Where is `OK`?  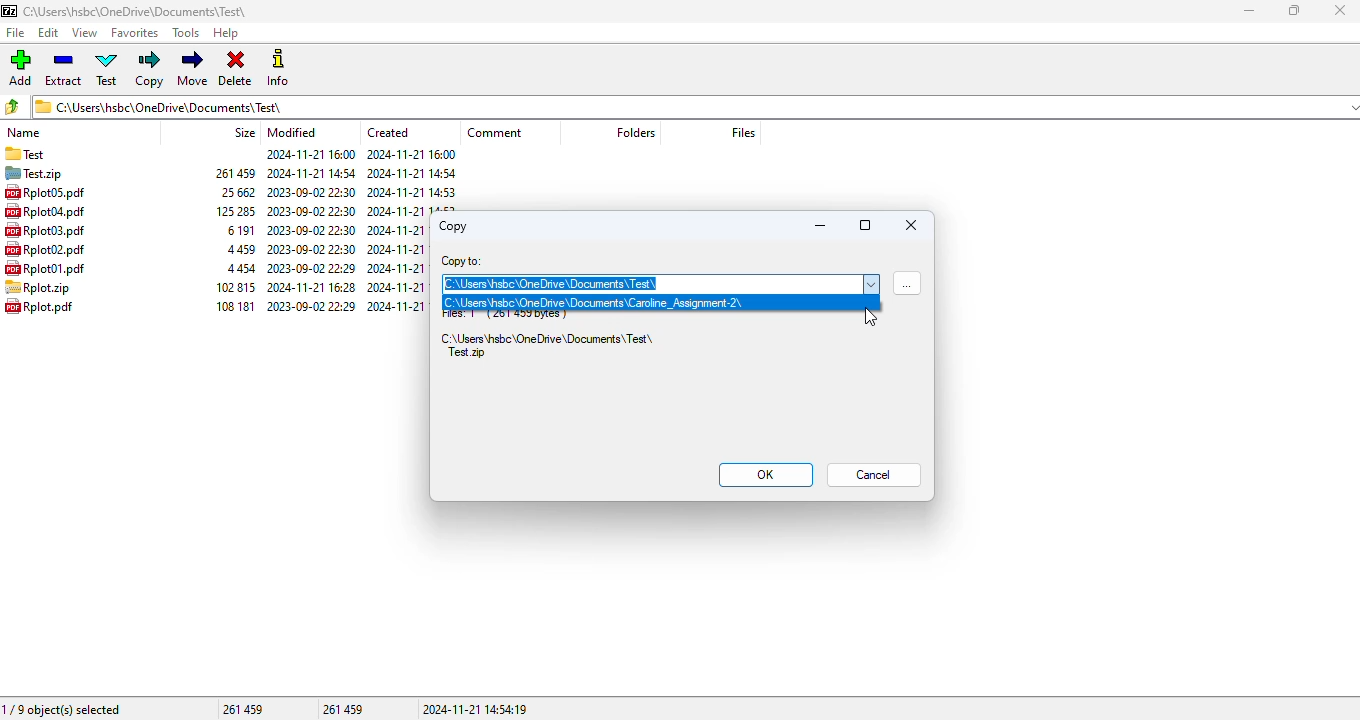
OK is located at coordinates (766, 475).